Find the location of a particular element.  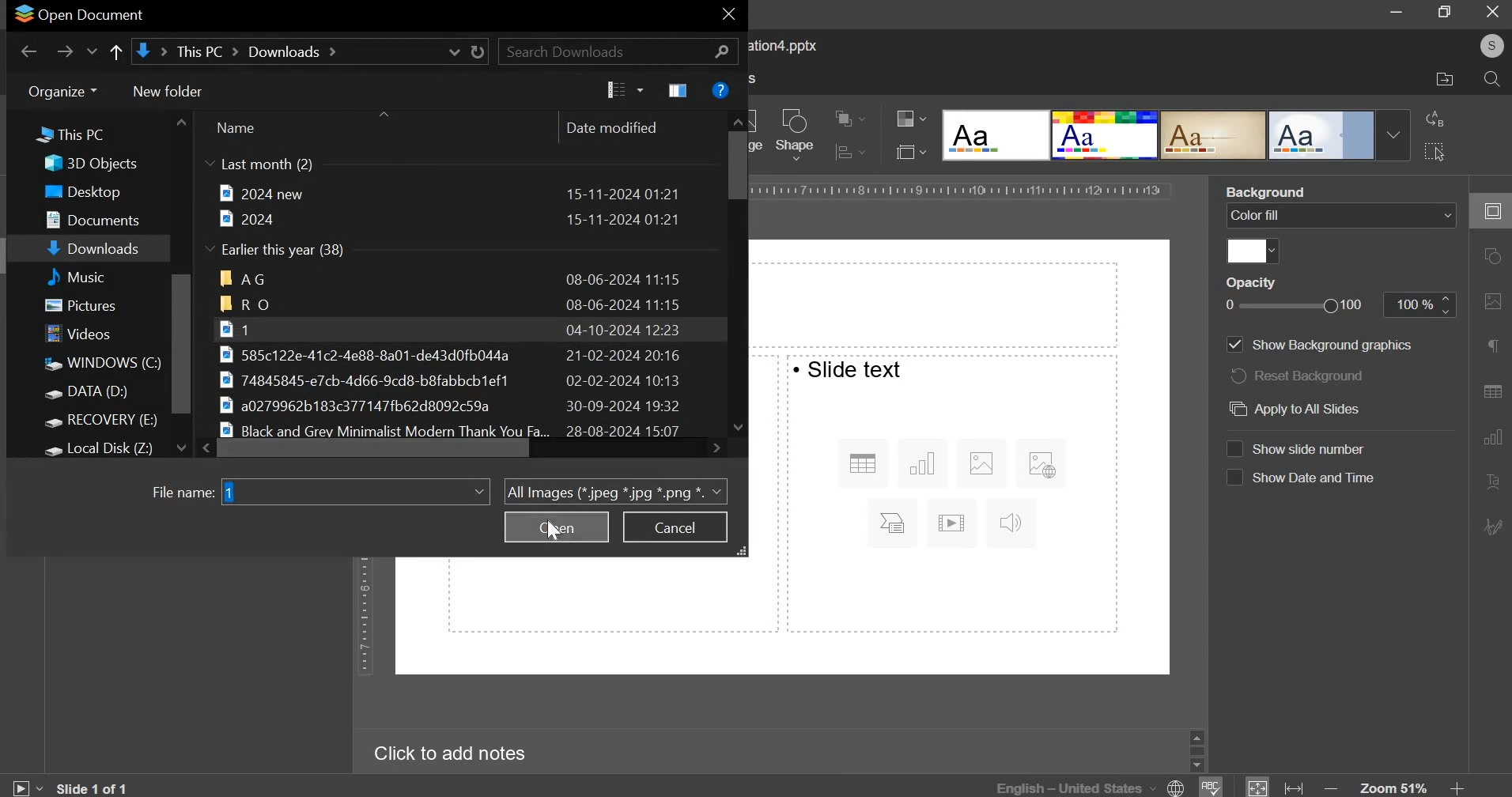

file type is located at coordinates (615, 490).